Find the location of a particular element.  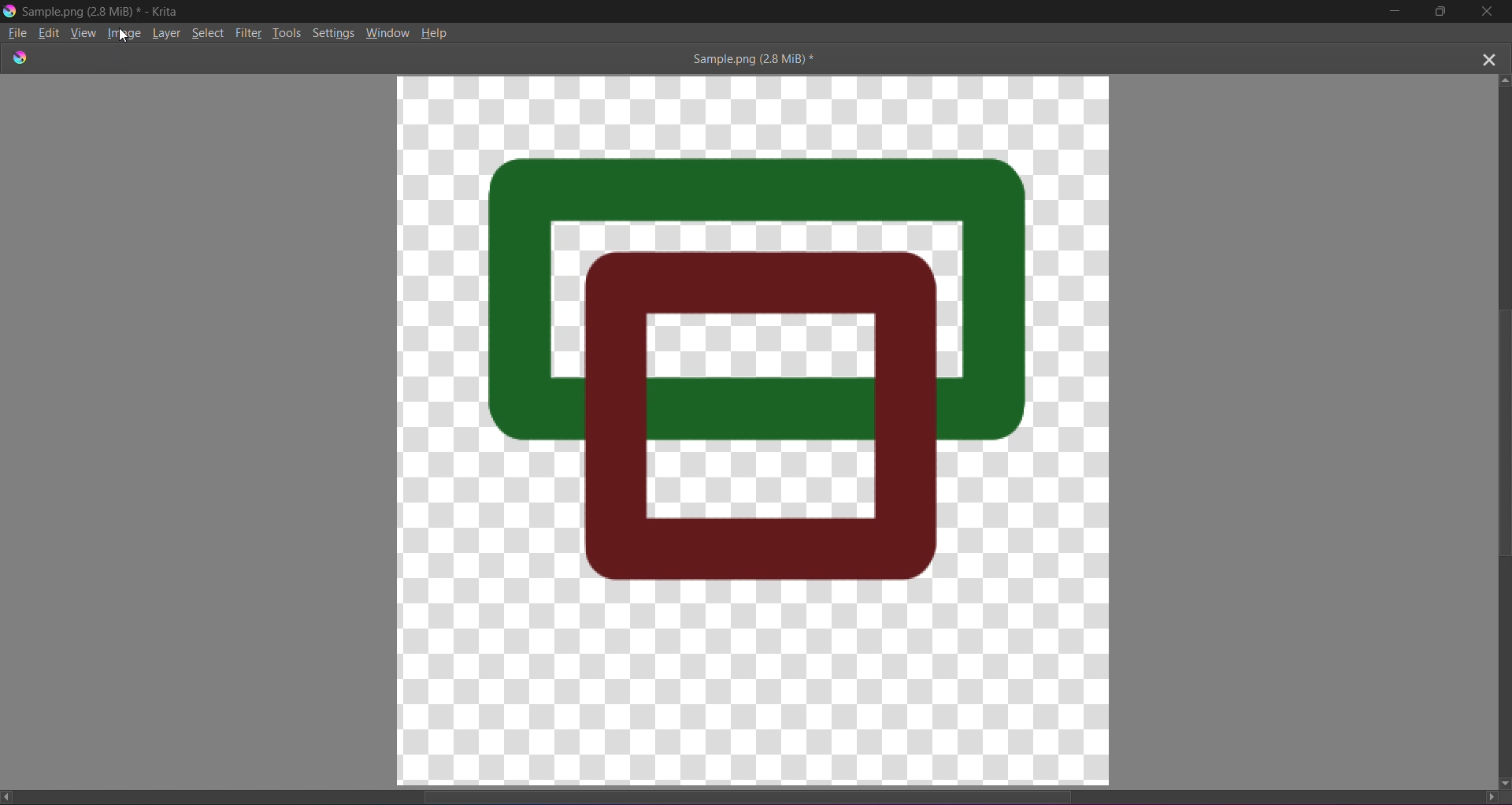

Scroll left is located at coordinates (10, 796).